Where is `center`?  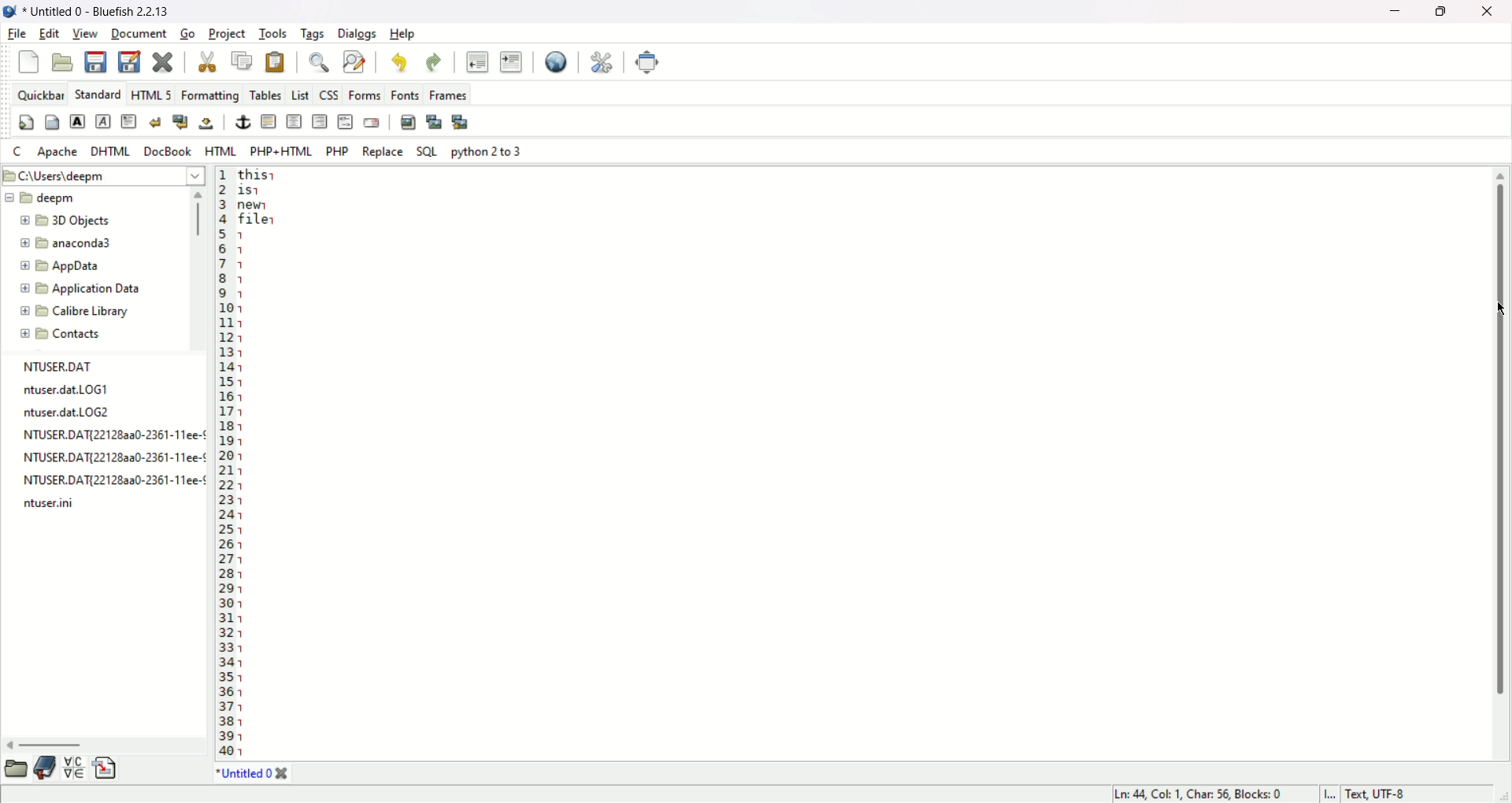
center is located at coordinates (295, 121).